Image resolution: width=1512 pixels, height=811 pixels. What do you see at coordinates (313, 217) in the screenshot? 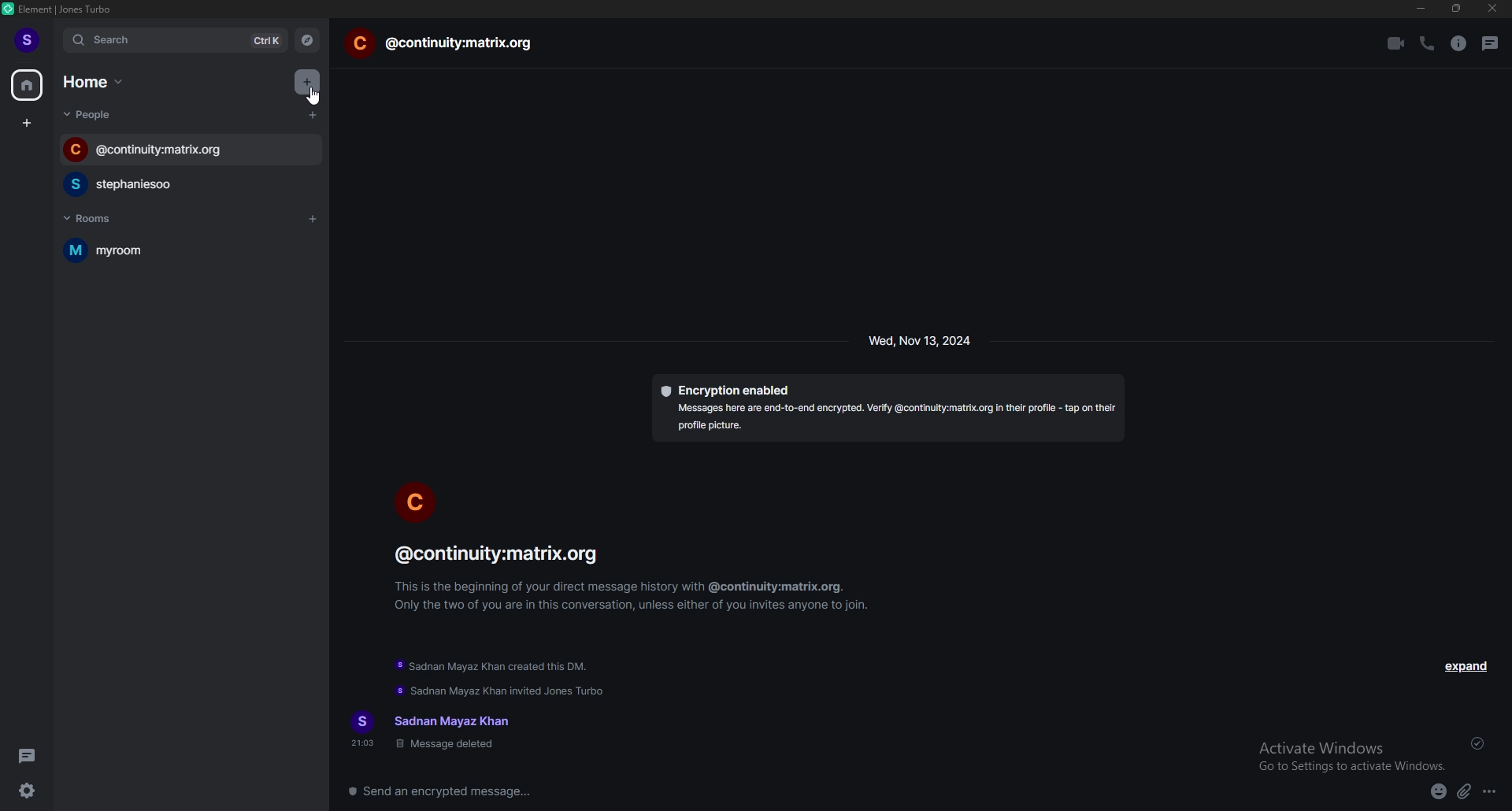
I see `add room` at bounding box center [313, 217].